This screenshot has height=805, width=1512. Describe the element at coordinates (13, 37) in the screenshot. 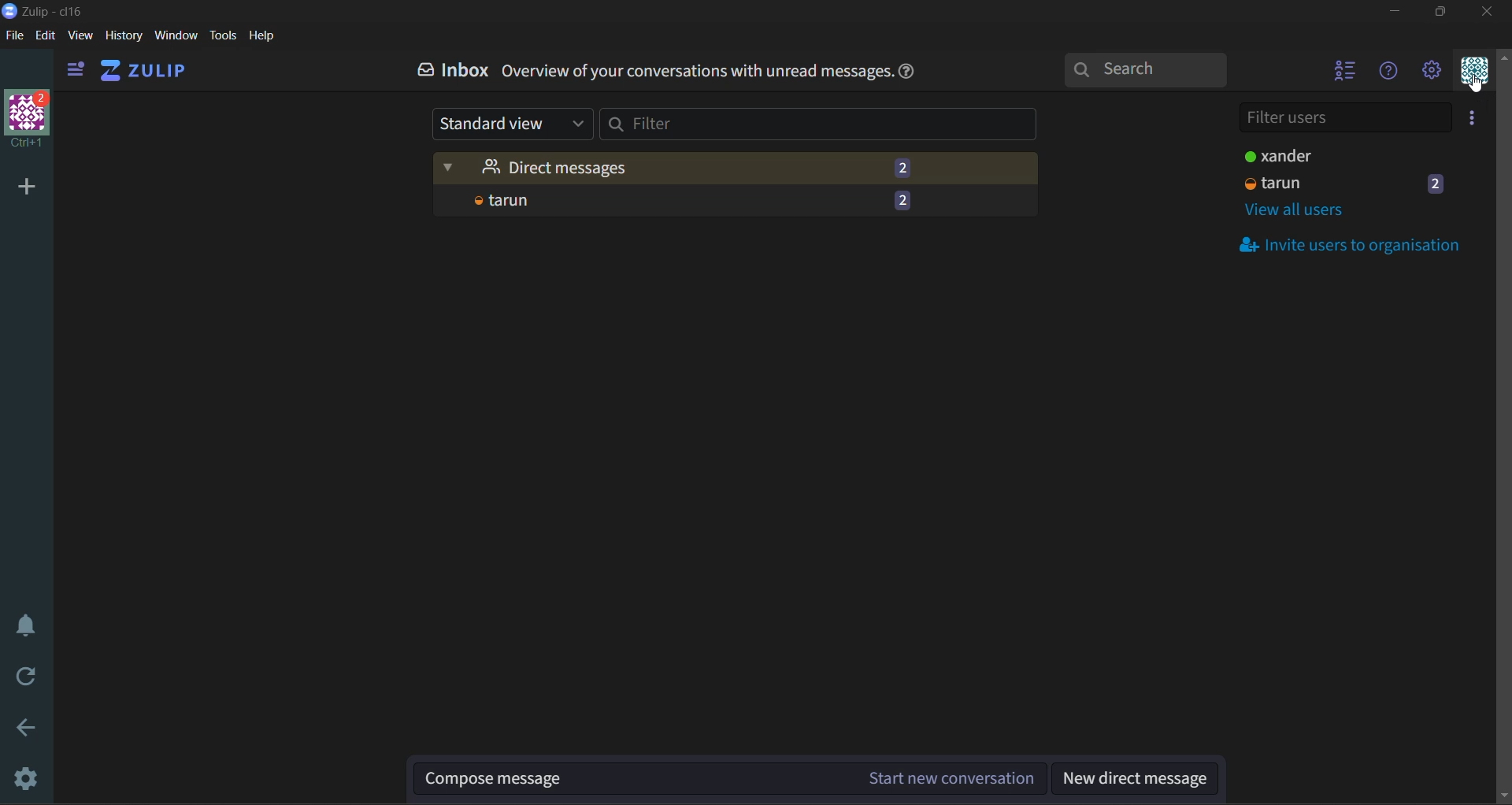

I see `file` at that location.